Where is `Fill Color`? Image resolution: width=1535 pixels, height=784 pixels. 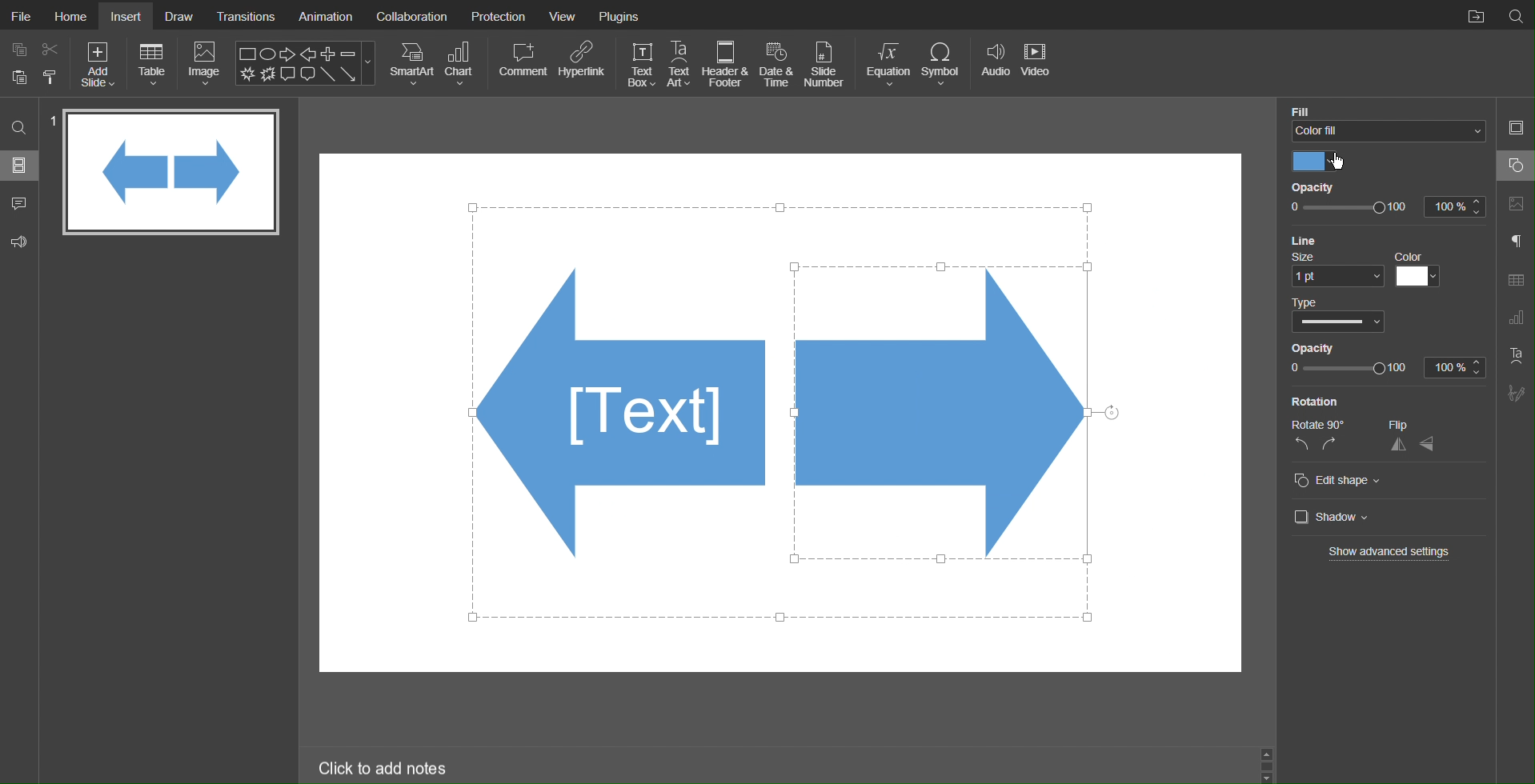
Fill Color is located at coordinates (1389, 107).